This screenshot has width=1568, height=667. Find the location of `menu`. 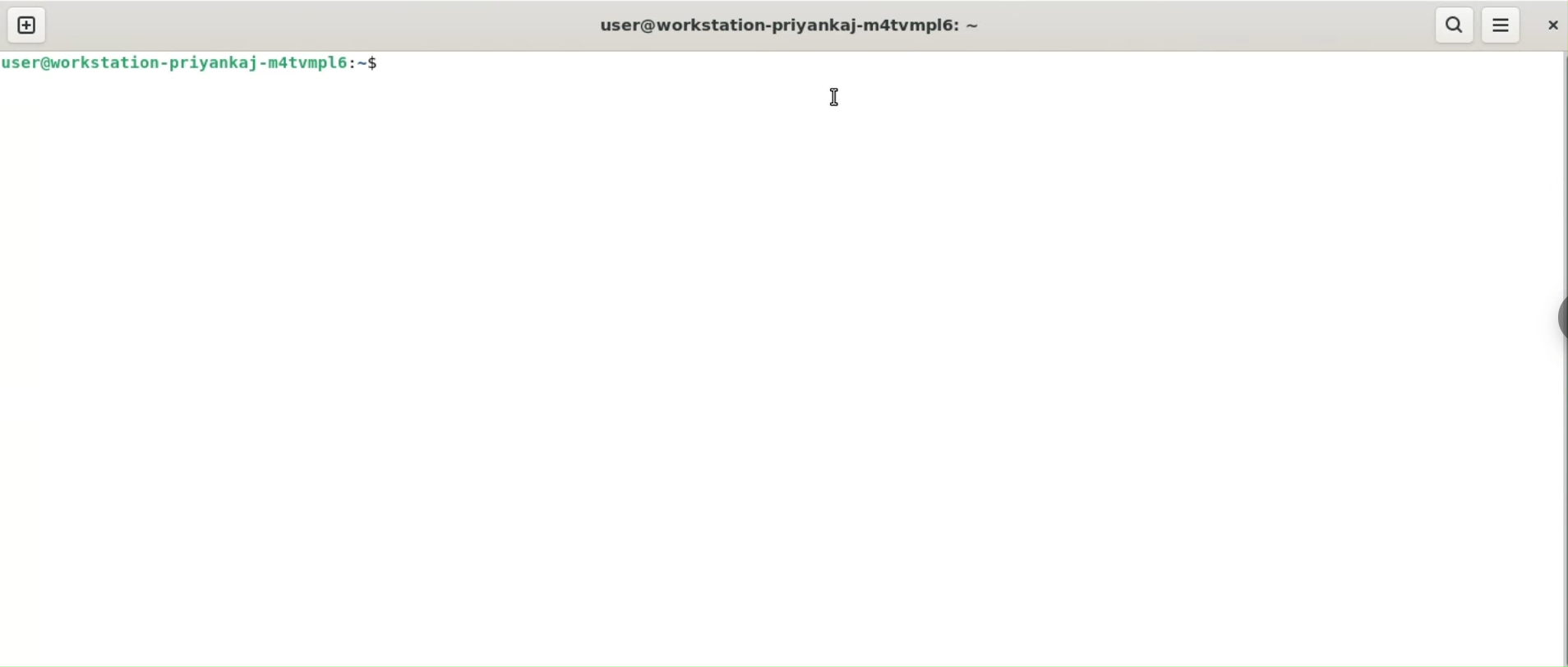

menu is located at coordinates (1502, 25).